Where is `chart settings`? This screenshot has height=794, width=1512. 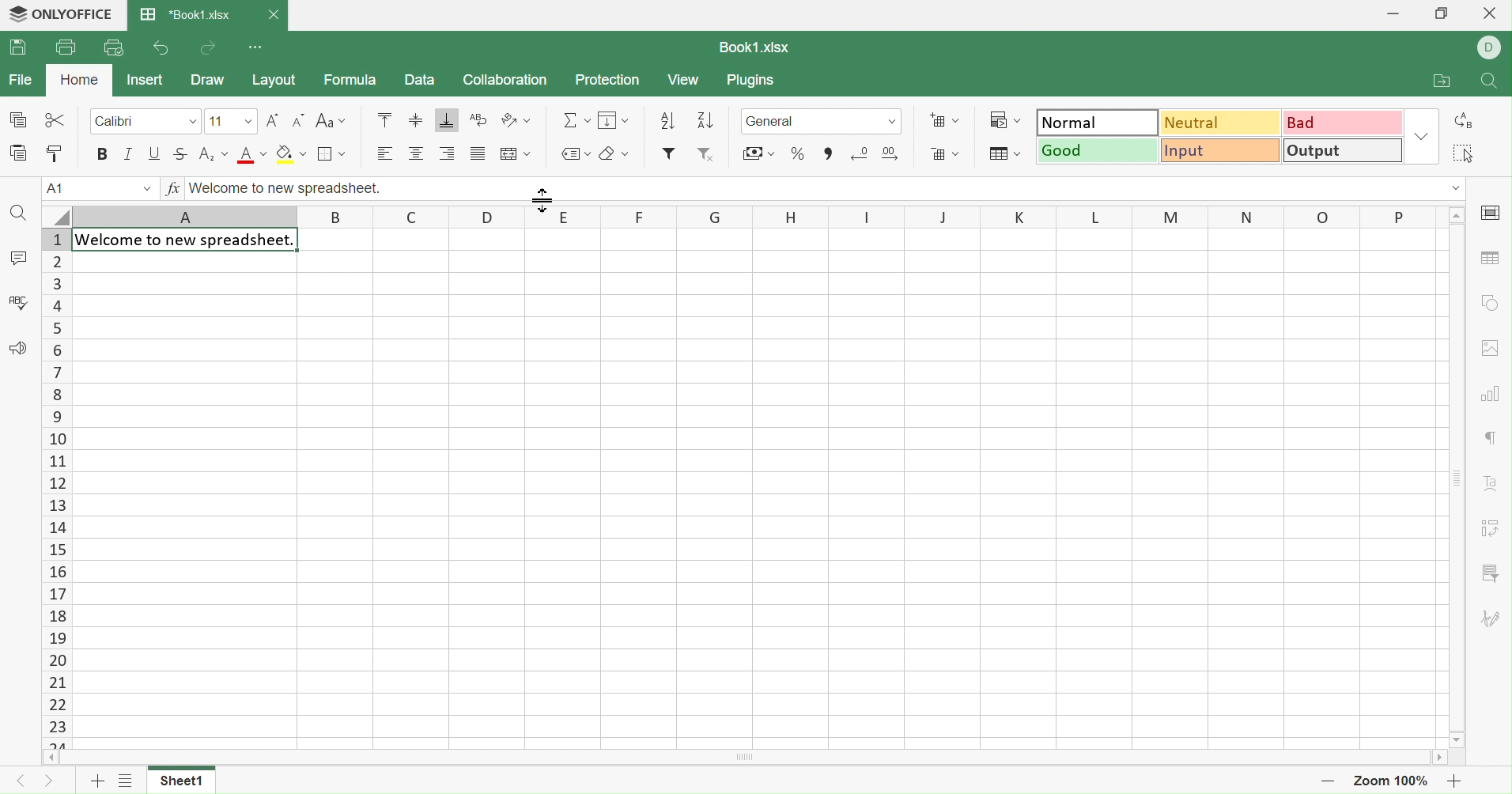
chart settings is located at coordinates (1491, 391).